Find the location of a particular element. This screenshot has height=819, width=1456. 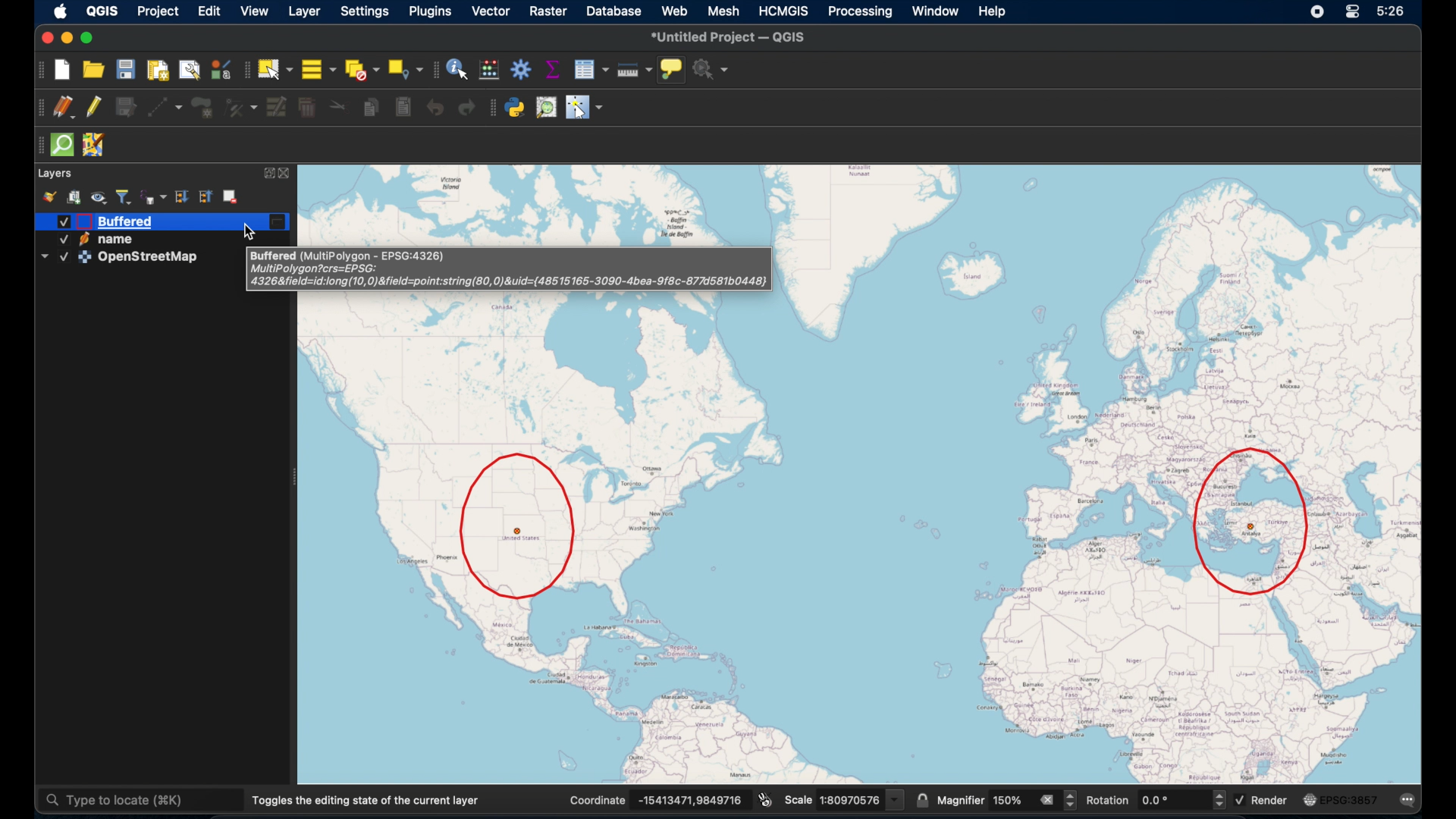

Buffered (MultiPolygon - EPSG:4326) is located at coordinates (349, 257).